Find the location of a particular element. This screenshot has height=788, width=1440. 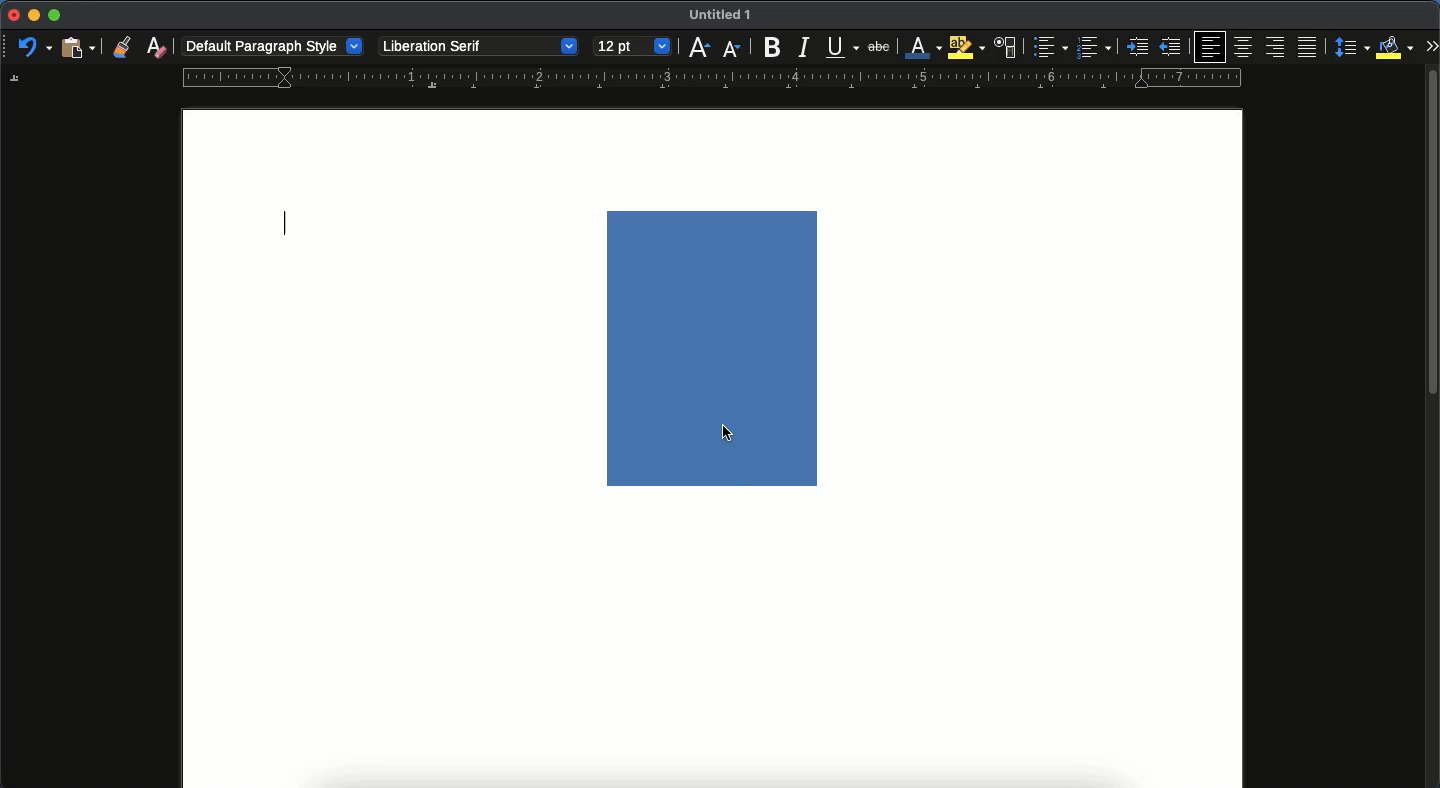

fill color is located at coordinates (1396, 48).